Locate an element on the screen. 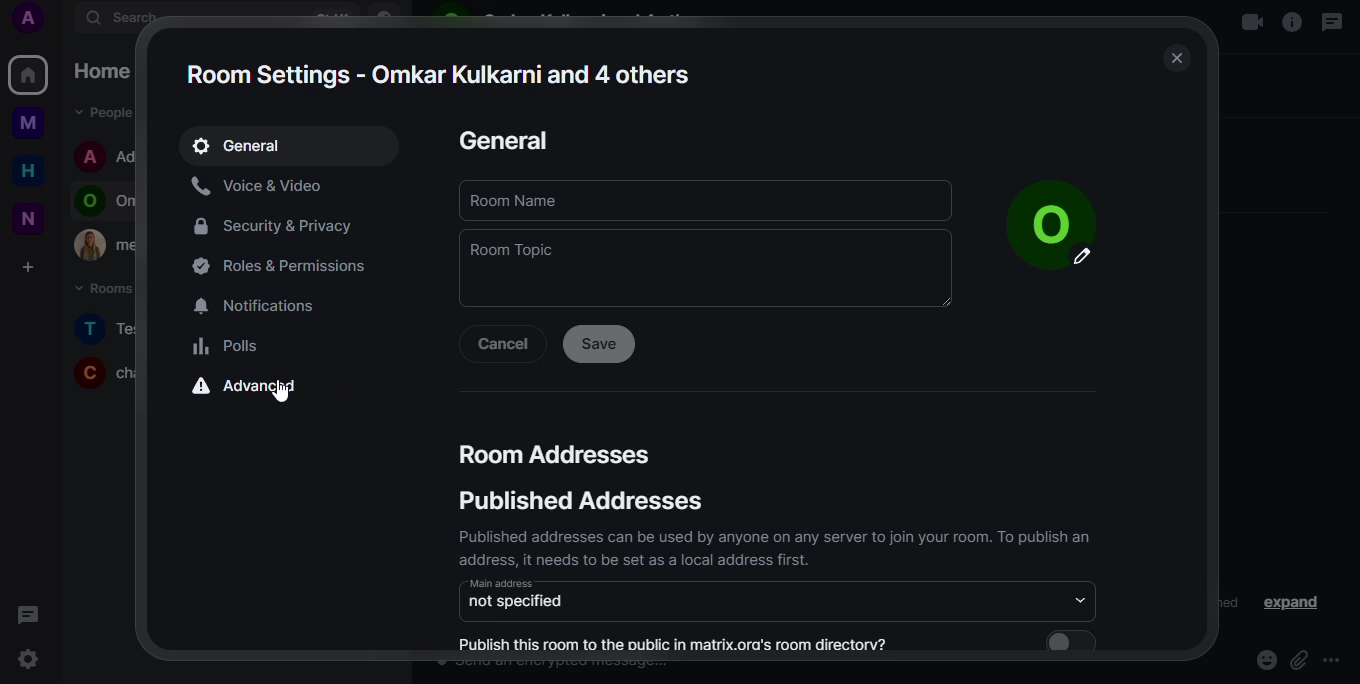  general is located at coordinates (500, 138).